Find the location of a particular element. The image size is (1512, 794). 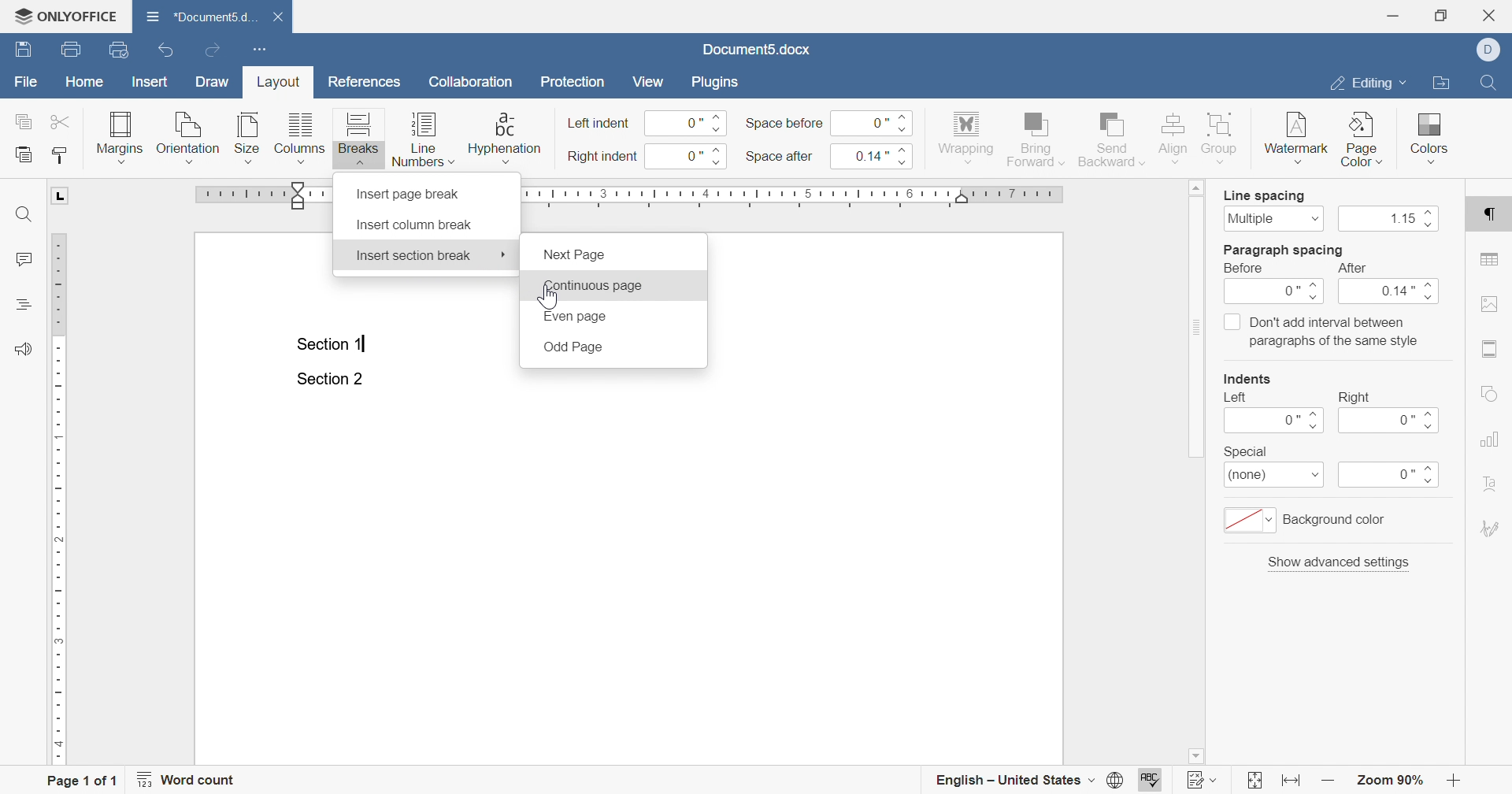

0 is located at coordinates (689, 123).